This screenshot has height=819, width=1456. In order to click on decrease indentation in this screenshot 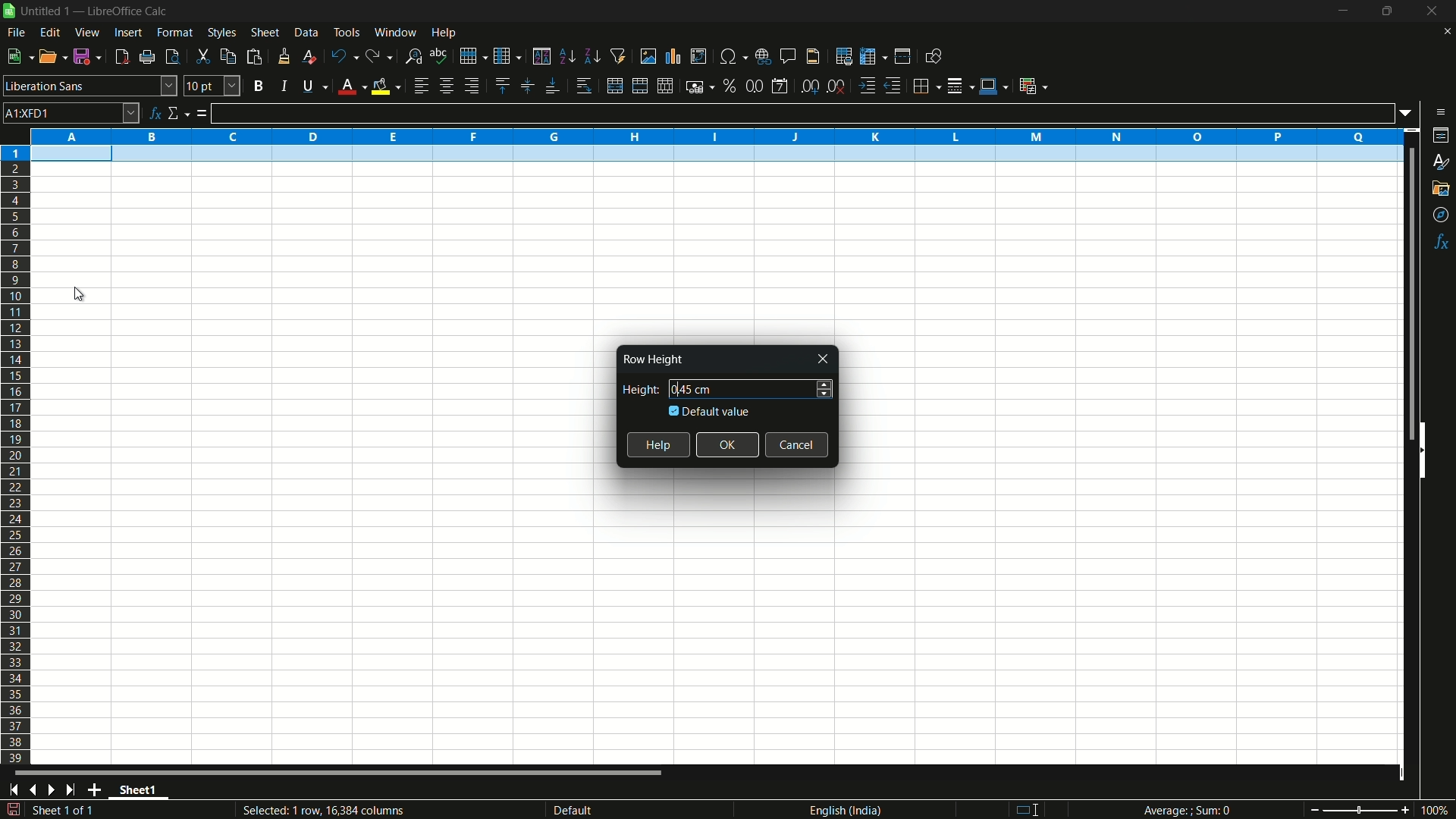, I will do `click(894, 86)`.